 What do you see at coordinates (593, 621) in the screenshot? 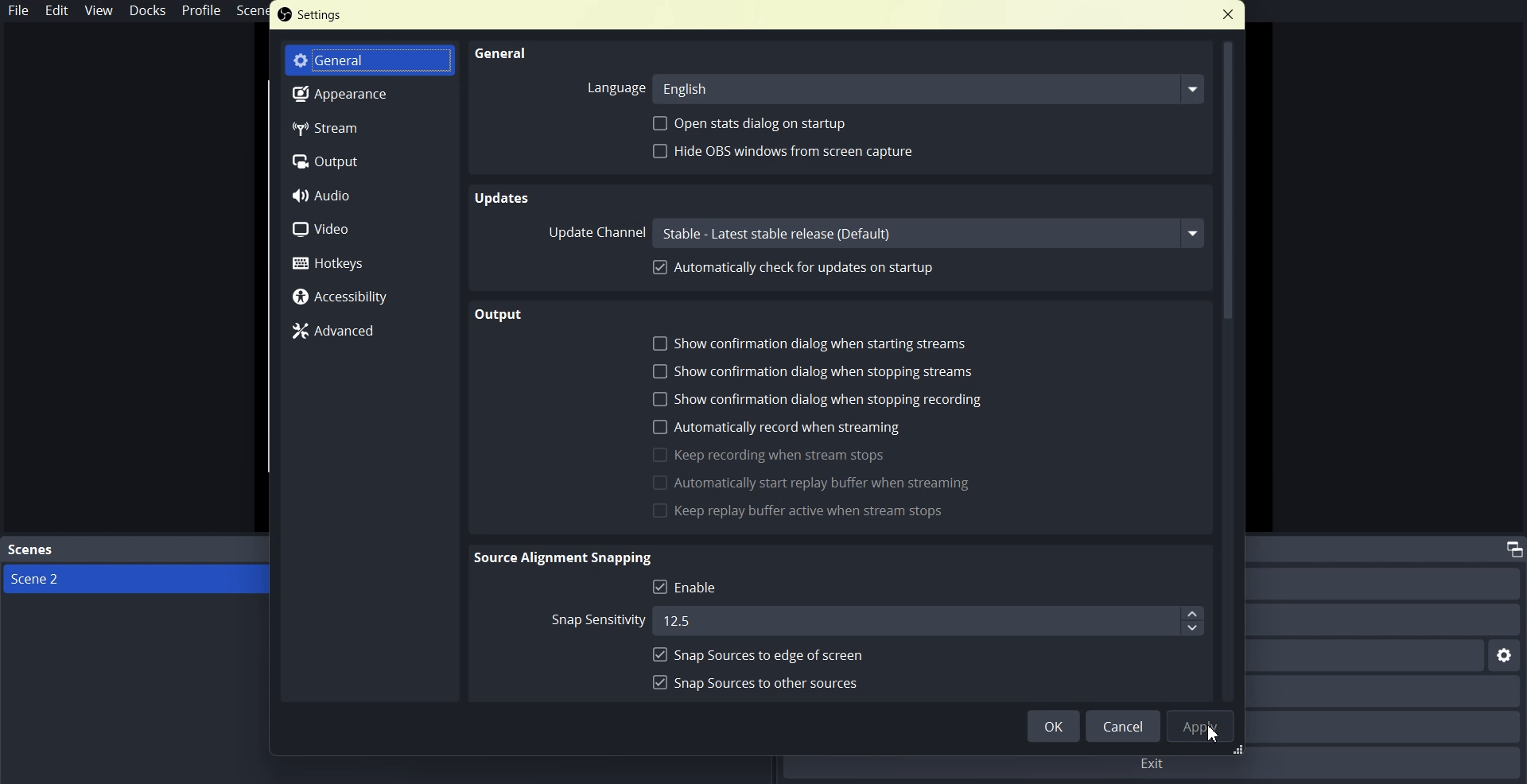
I see `Snap the wordstream` at bounding box center [593, 621].